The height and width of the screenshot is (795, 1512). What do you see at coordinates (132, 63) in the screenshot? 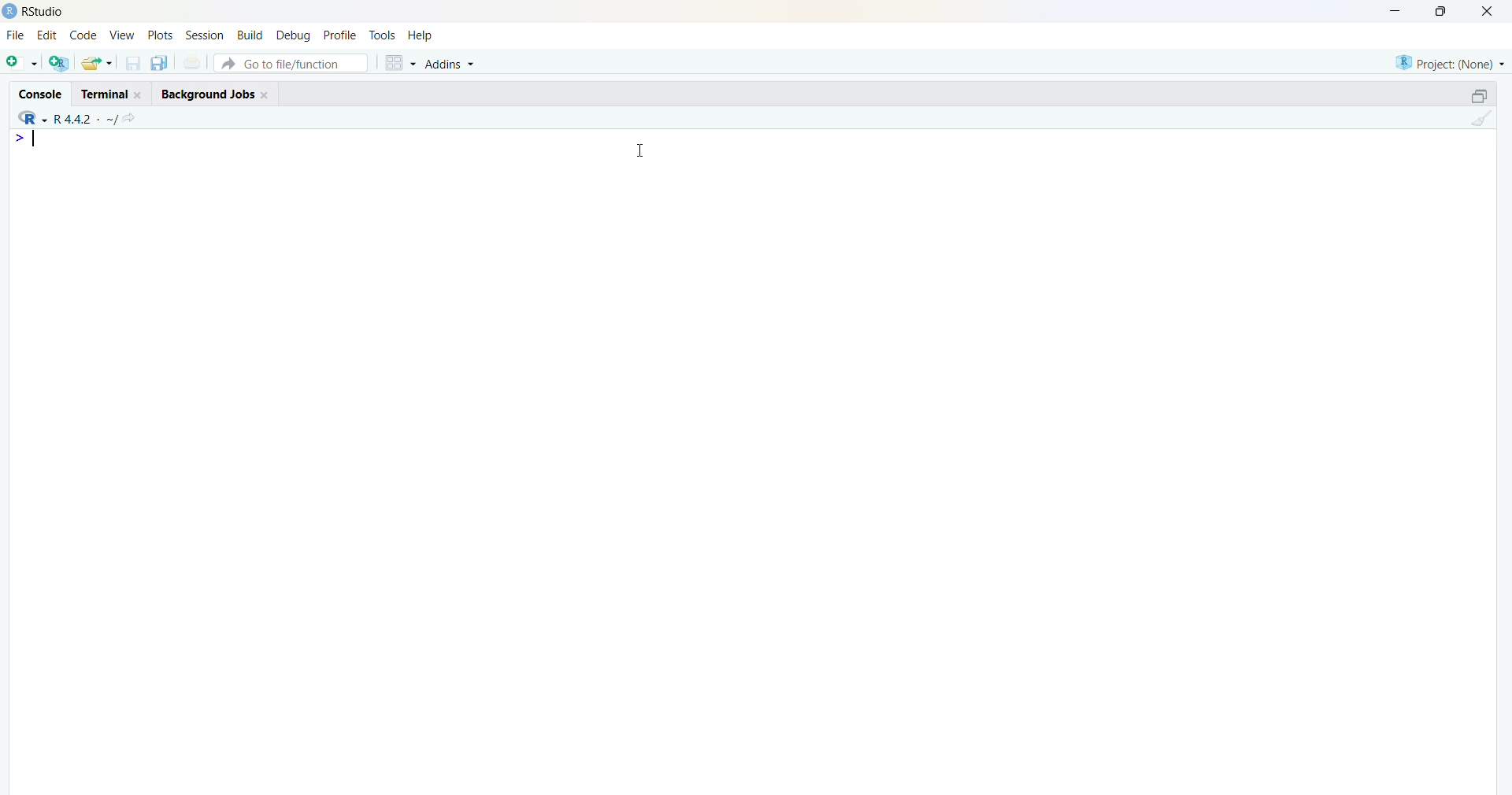
I see `save current document` at bounding box center [132, 63].